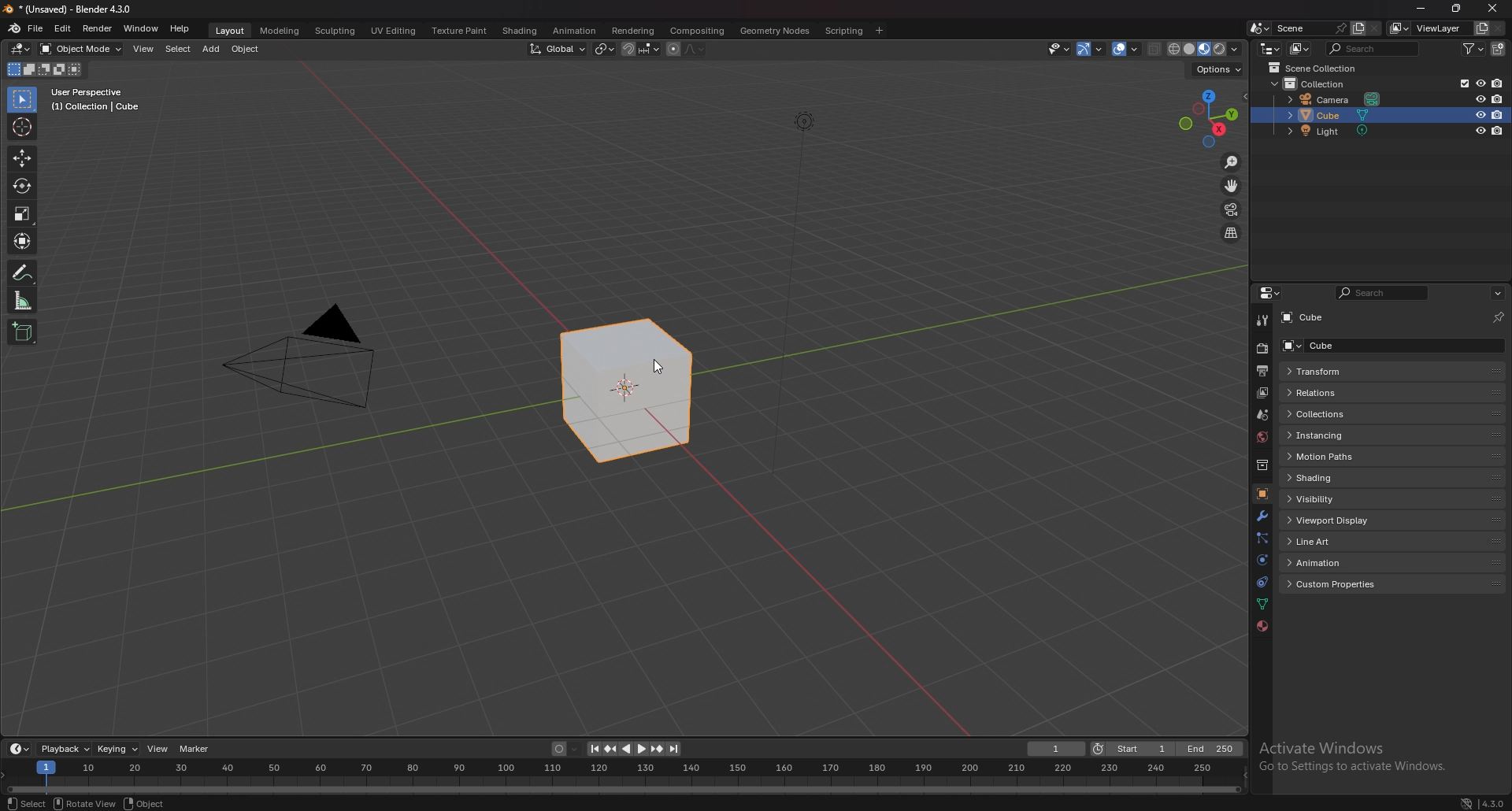 This screenshot has height=811, width=1512. I want to click on object, so click(246, 49).